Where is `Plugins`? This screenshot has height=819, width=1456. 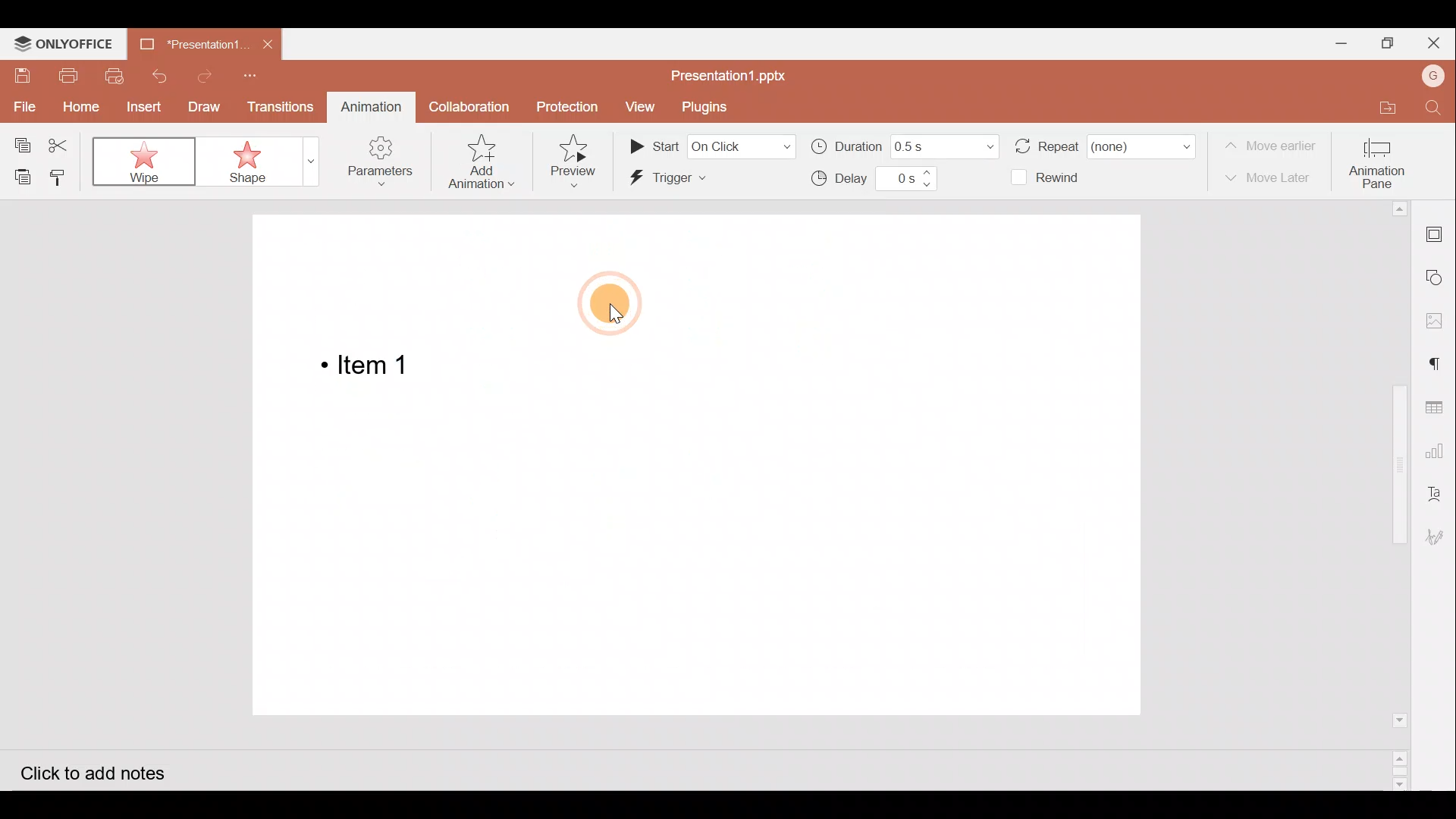 Plugins is located at coordinates (708, 105).